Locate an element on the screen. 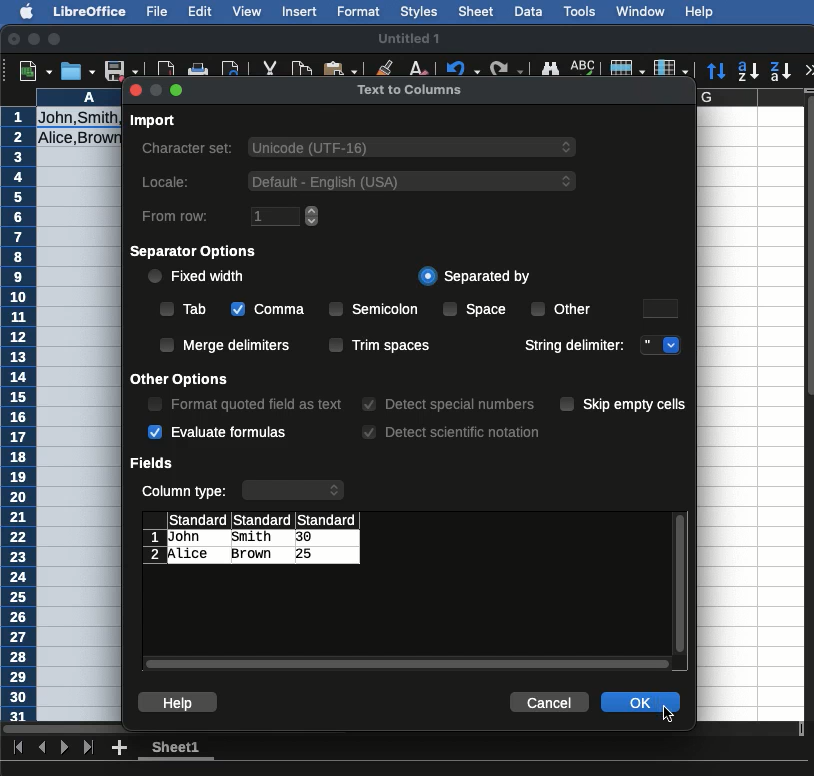 The width and height of the screenshot is (814, 776). More is located at coordinates (809, 69).